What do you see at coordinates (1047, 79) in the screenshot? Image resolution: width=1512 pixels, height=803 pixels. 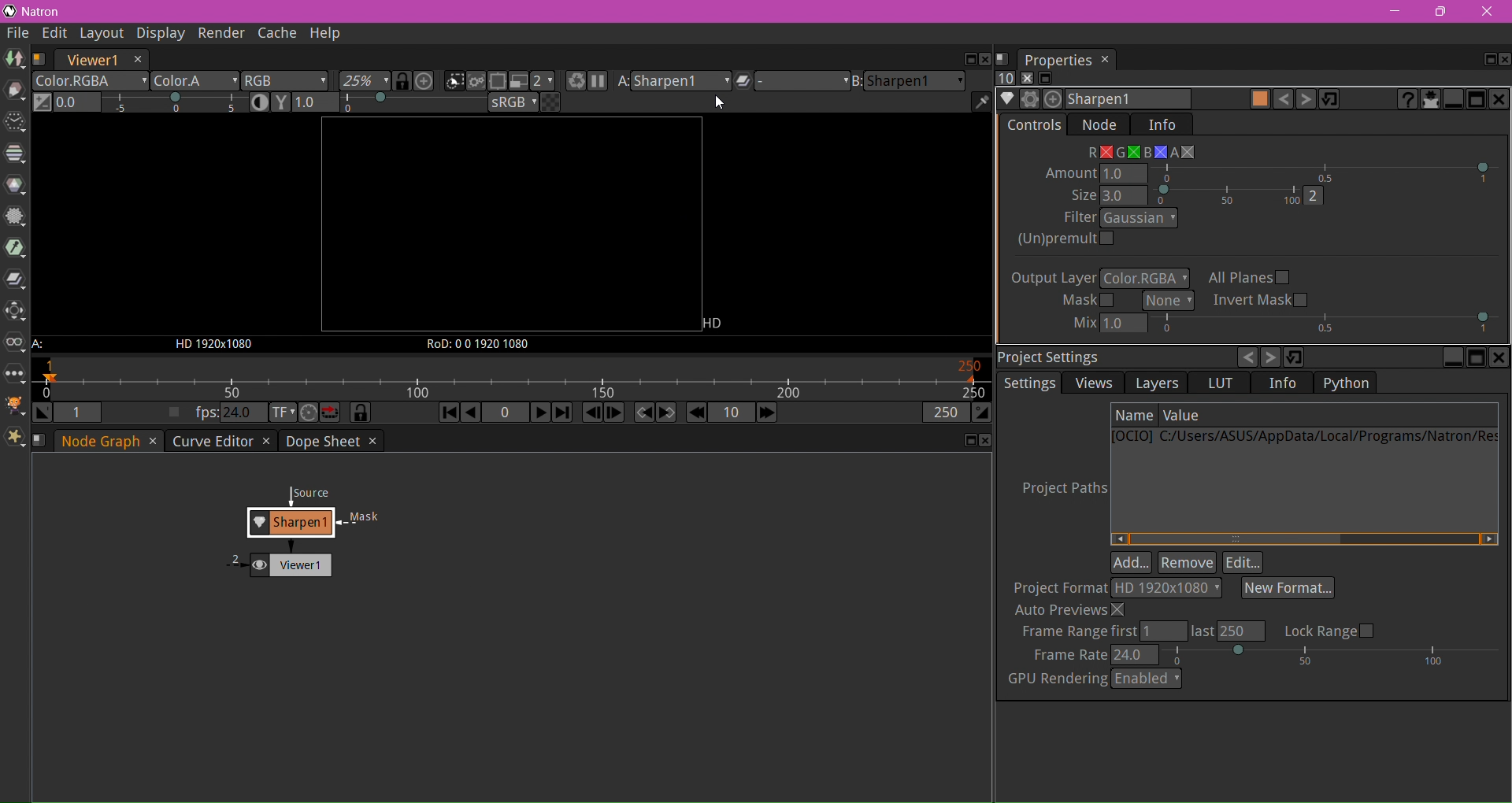 I see `Fullscreen` at bounding box center [1047, 79].